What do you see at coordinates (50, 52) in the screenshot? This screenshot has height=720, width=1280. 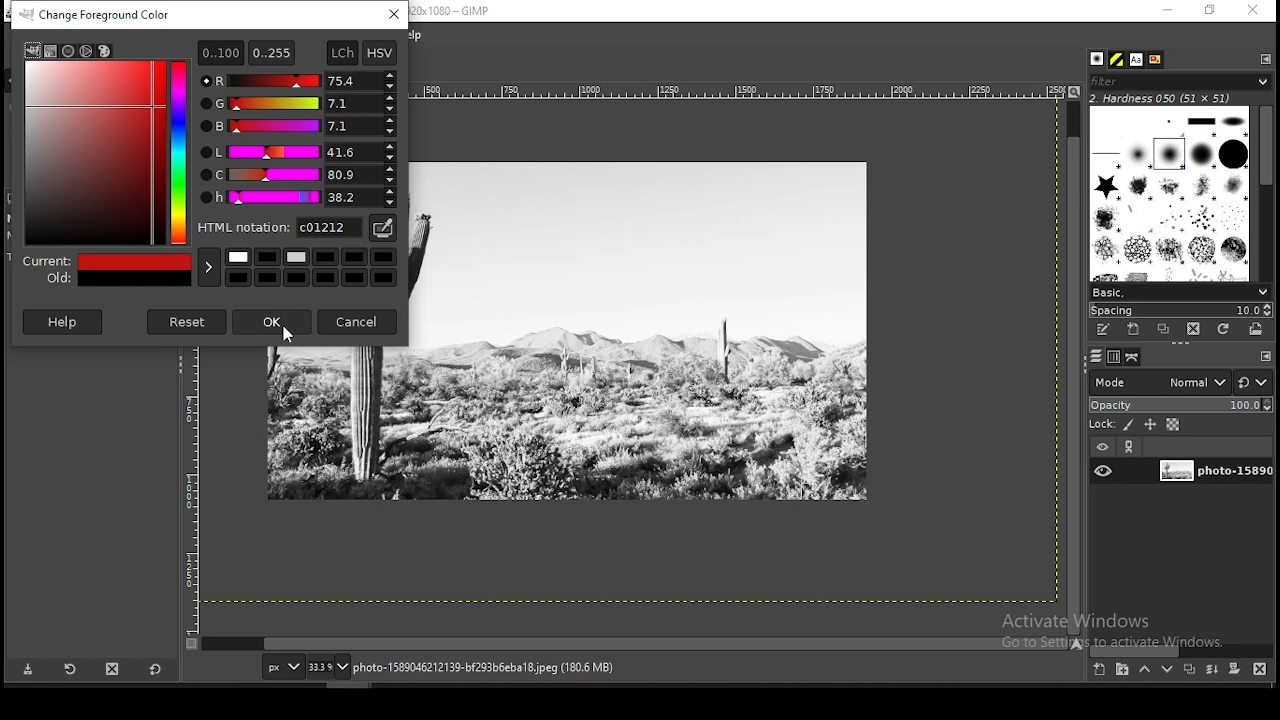 I see `wheel` at bounding box center [50, 52].